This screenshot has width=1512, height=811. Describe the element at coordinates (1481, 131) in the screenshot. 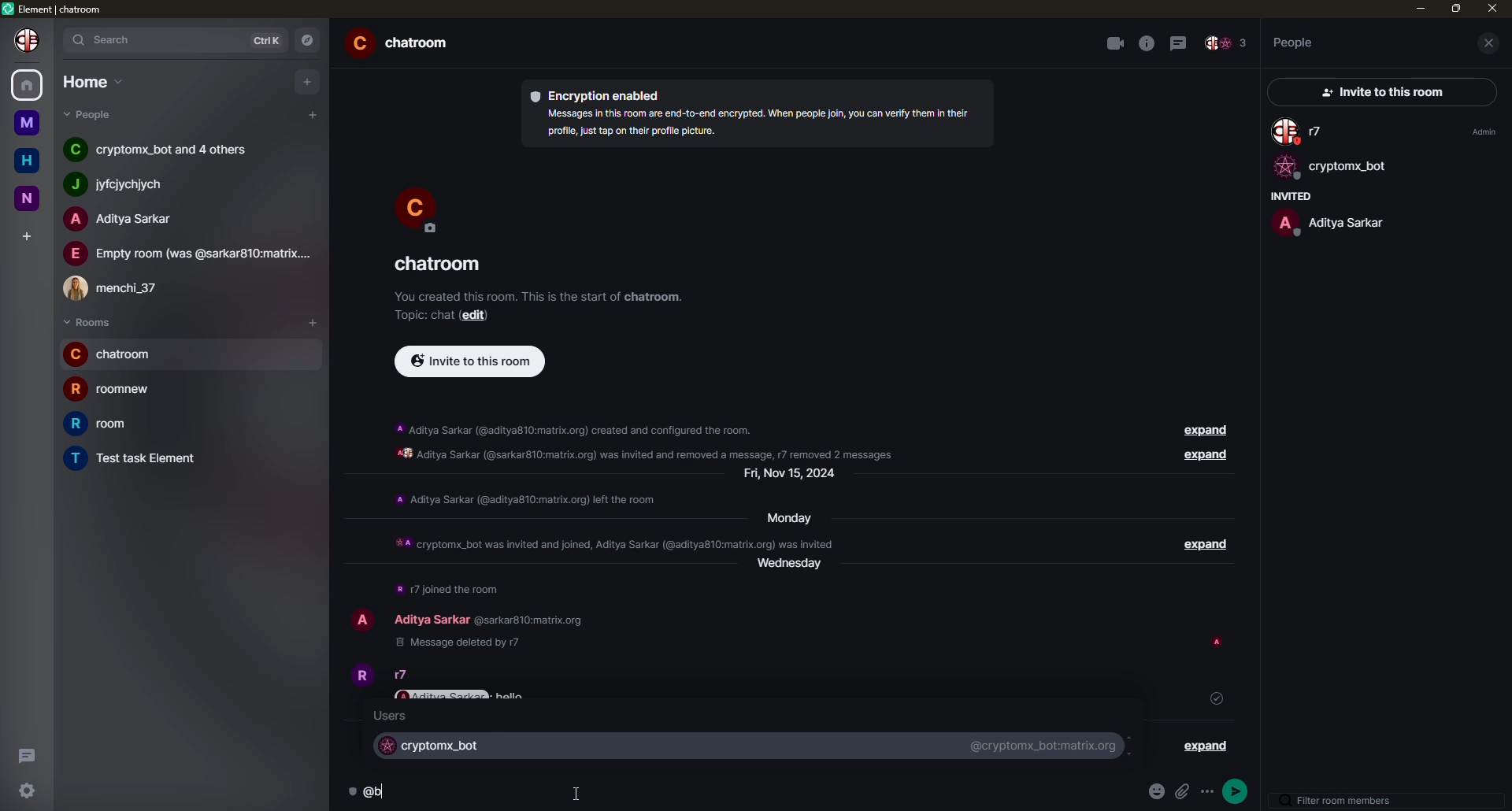

I see `admin` at that location.